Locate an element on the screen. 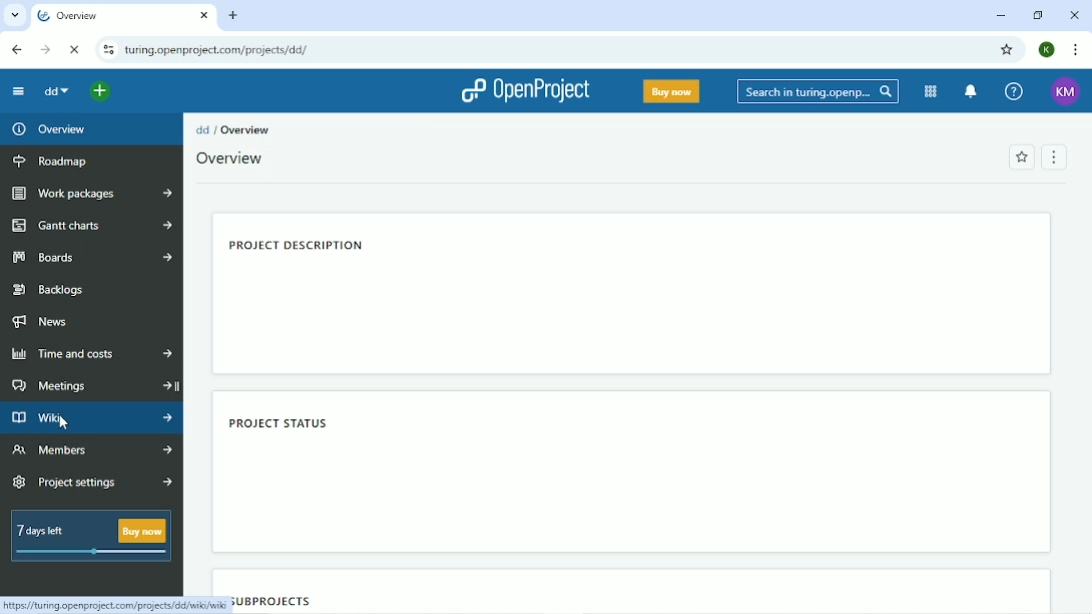  Back is located at coordinates (15, 48).